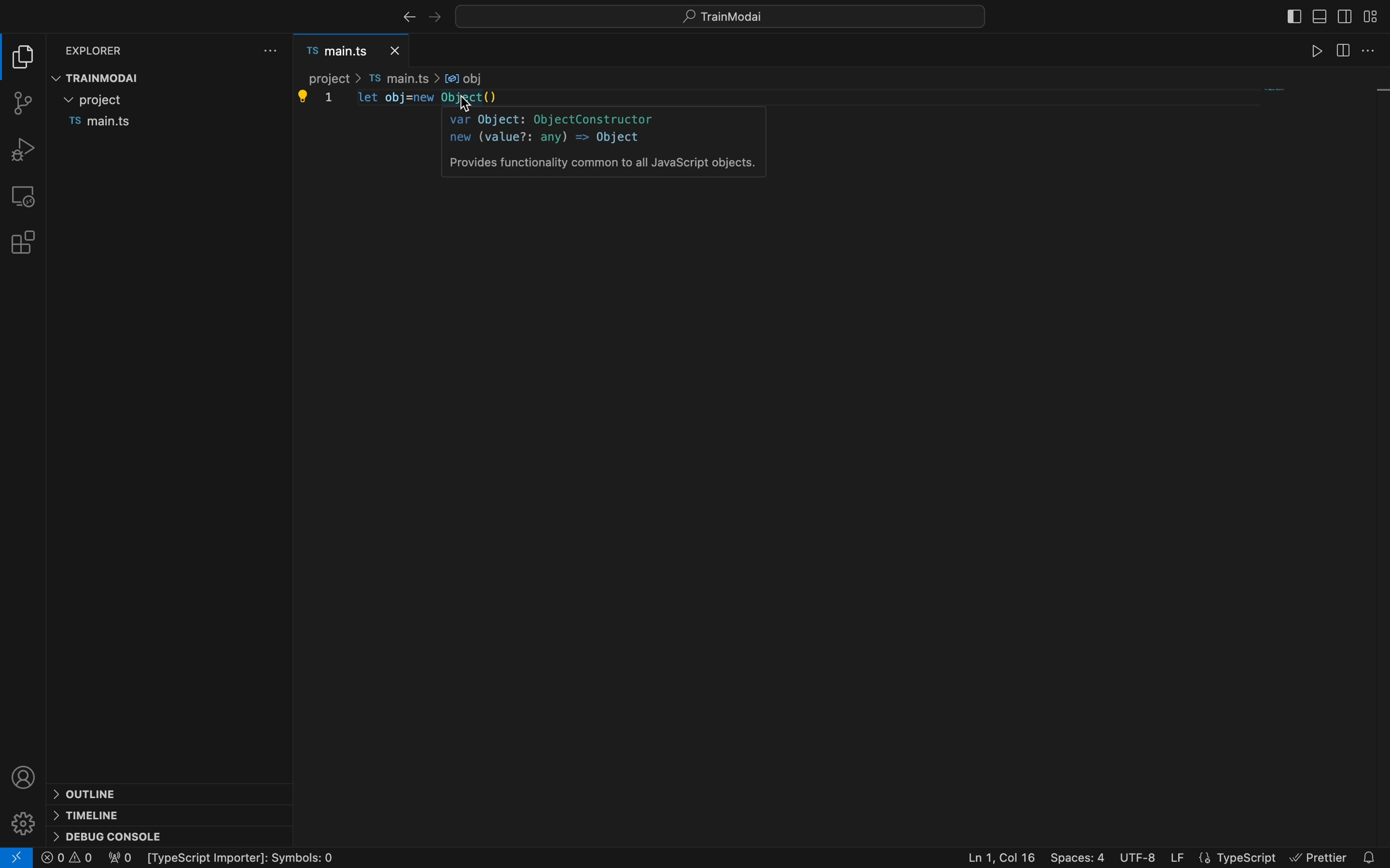 The width and height of the screenshot is (1390, 868). Describe the element at coordinates (93, 51) in the screenshot. I see `explorer` at that location.